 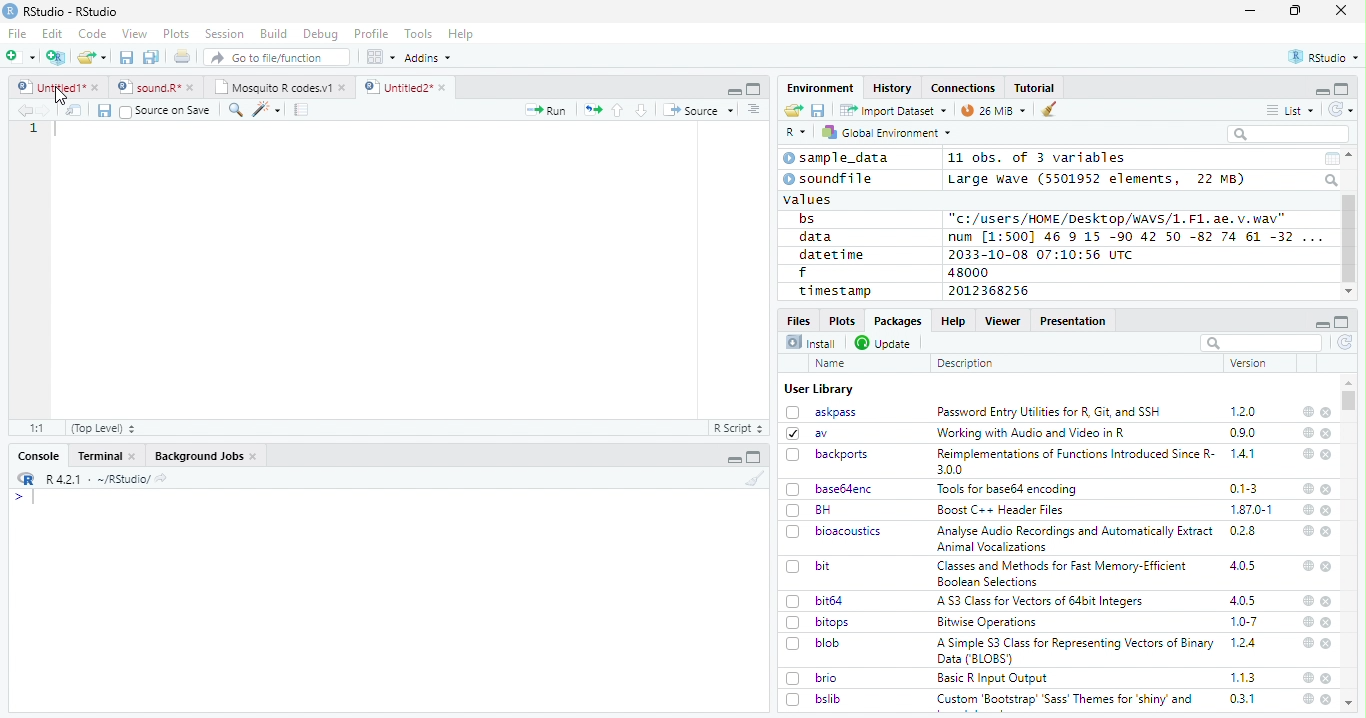 I want to click on minimize, so click(x=733, y=89).